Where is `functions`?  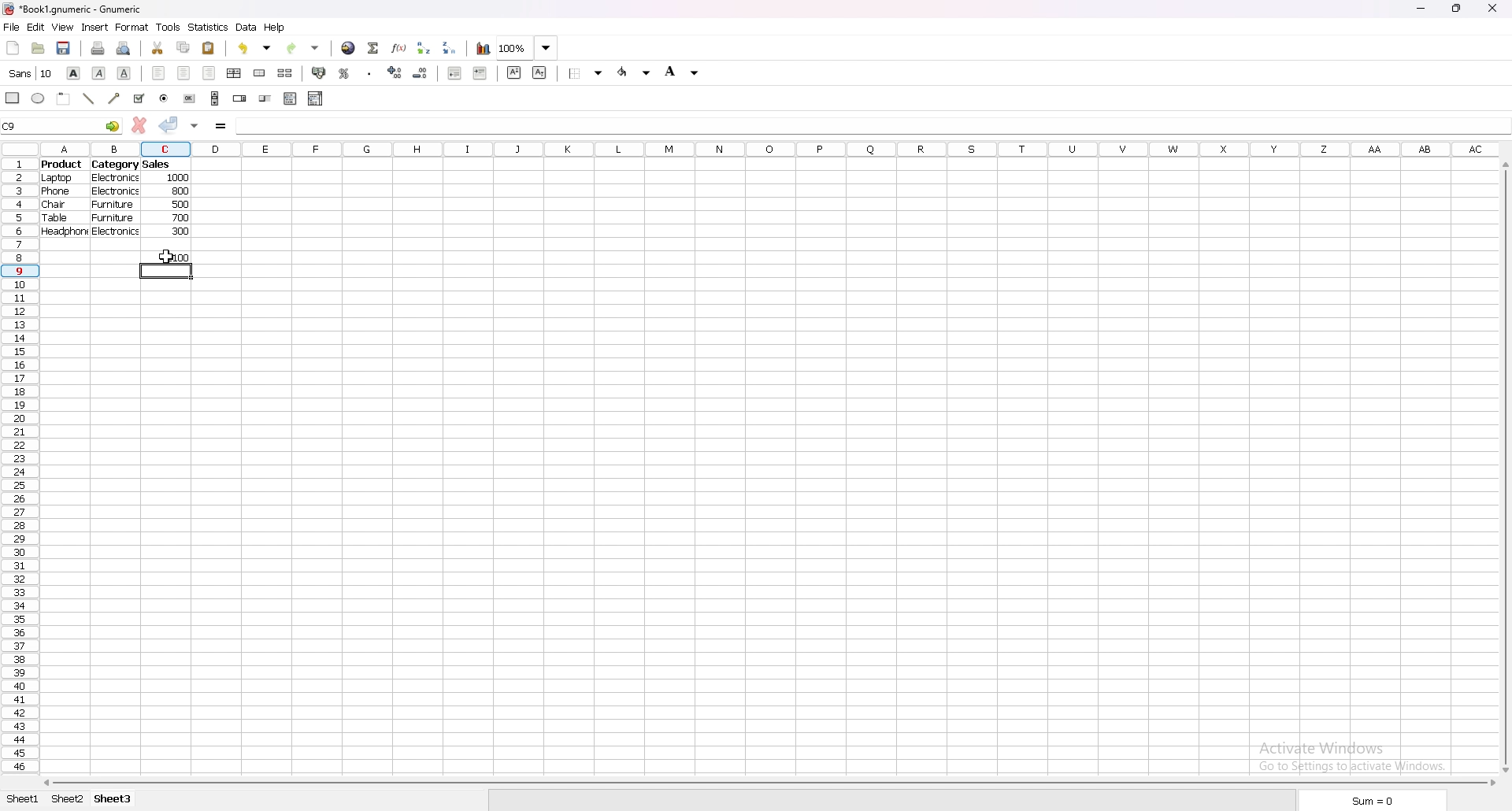 functions is located at coordinates (399, 47).